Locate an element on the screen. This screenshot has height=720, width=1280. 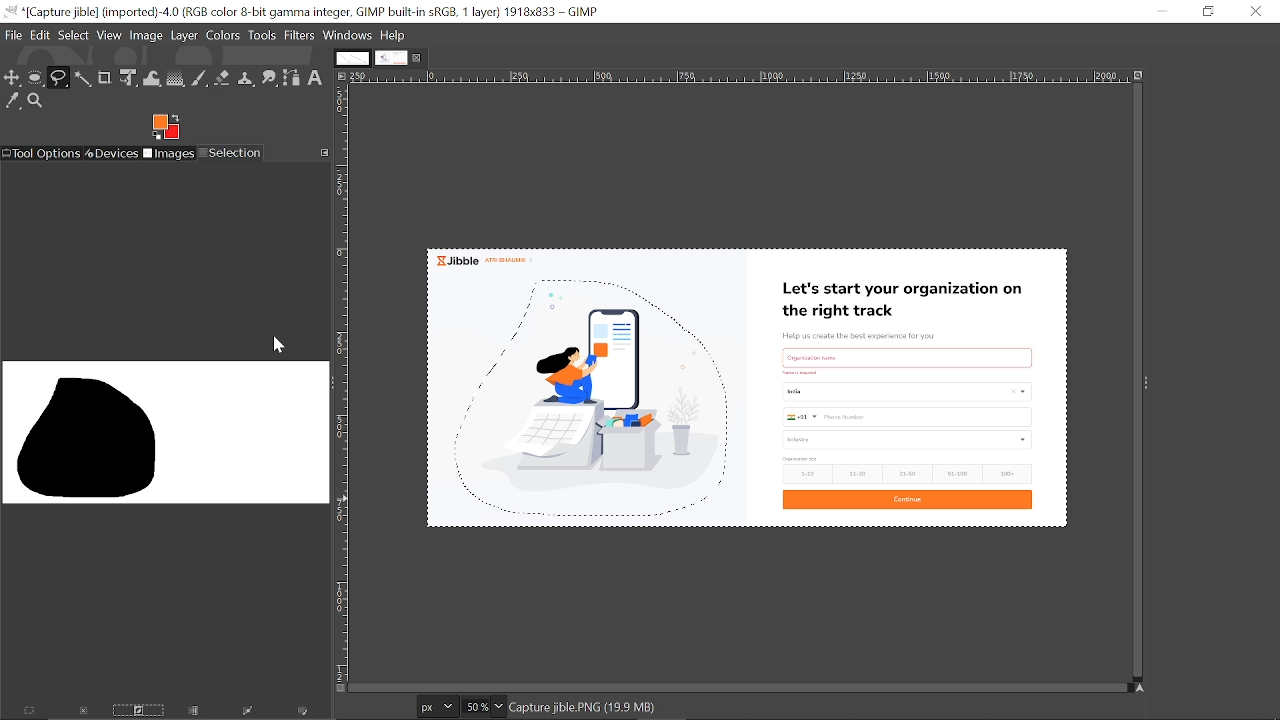
Filters is located at coordinates (301, 34).